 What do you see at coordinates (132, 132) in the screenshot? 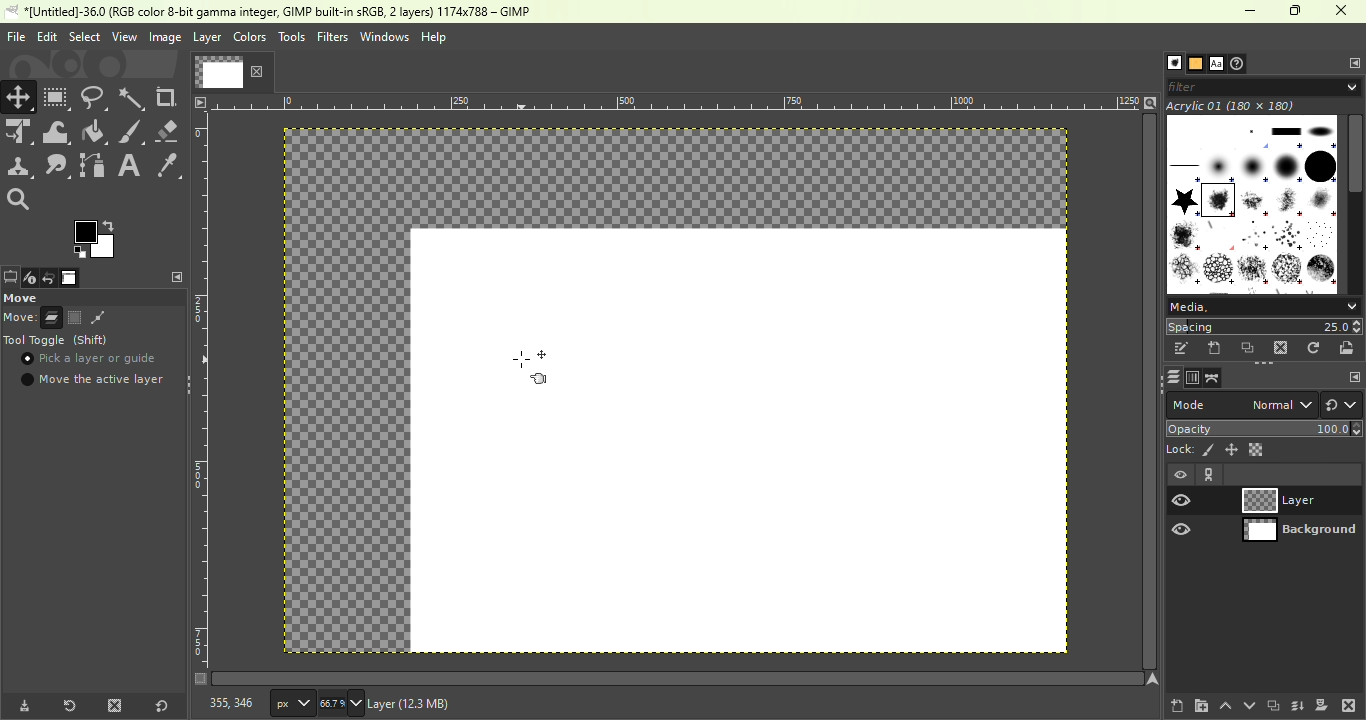
I see `Paintbrush tool` at bounding box center [132, 132].